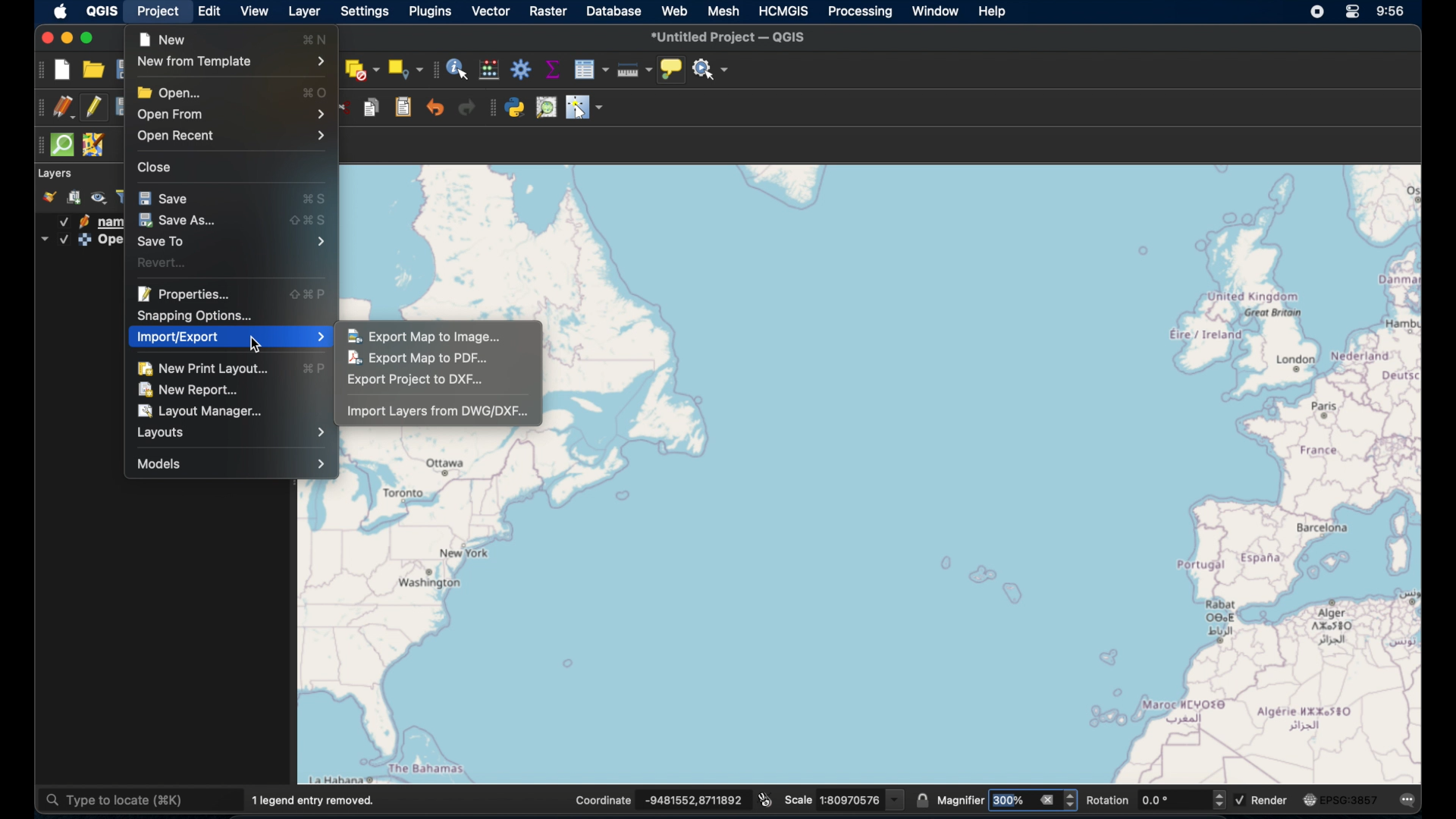  Describe the element at coordinates (723, 11) in the screenshot. I see `mesh` at that location.